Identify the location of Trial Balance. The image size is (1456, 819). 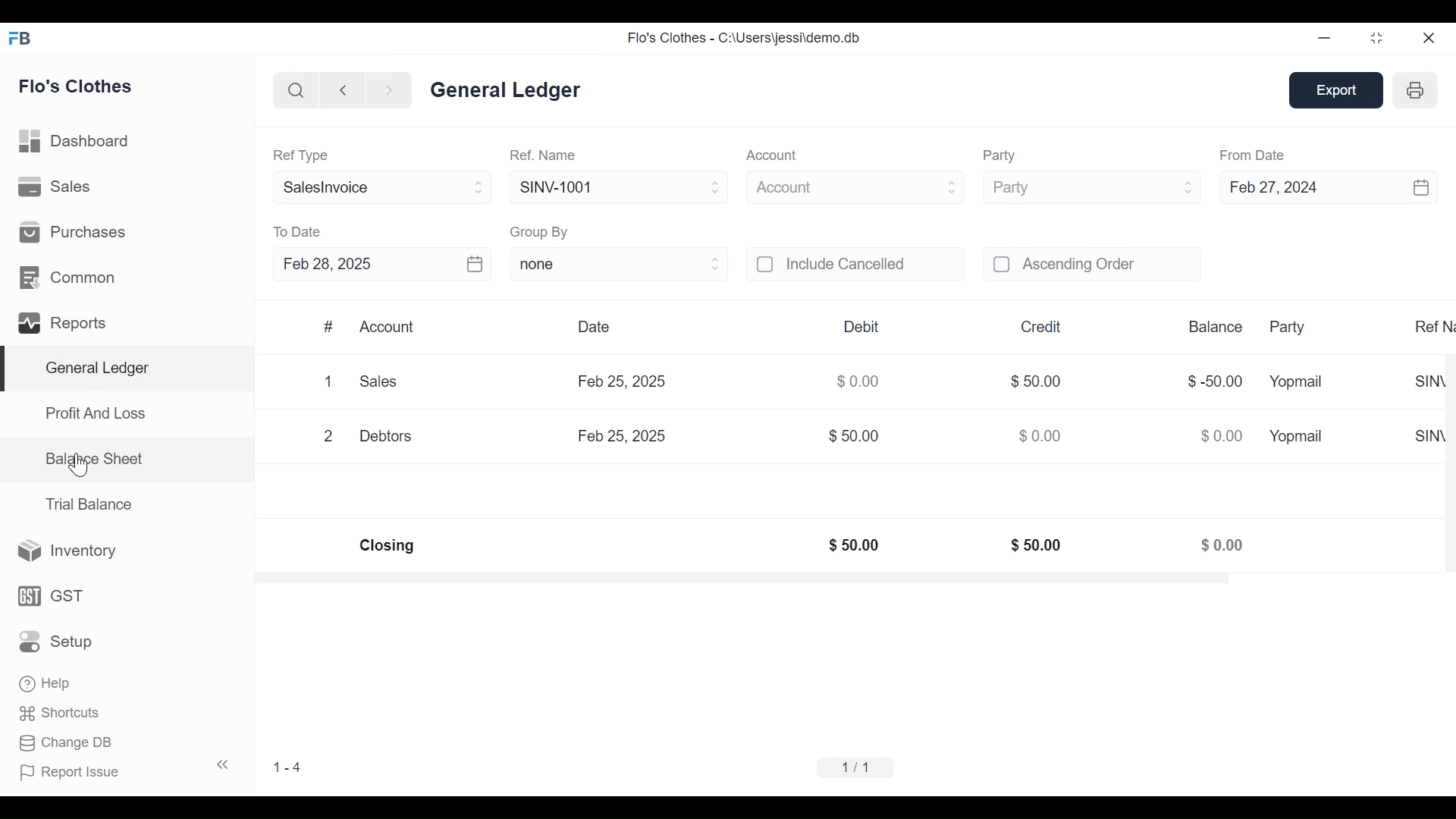
(89, 504).